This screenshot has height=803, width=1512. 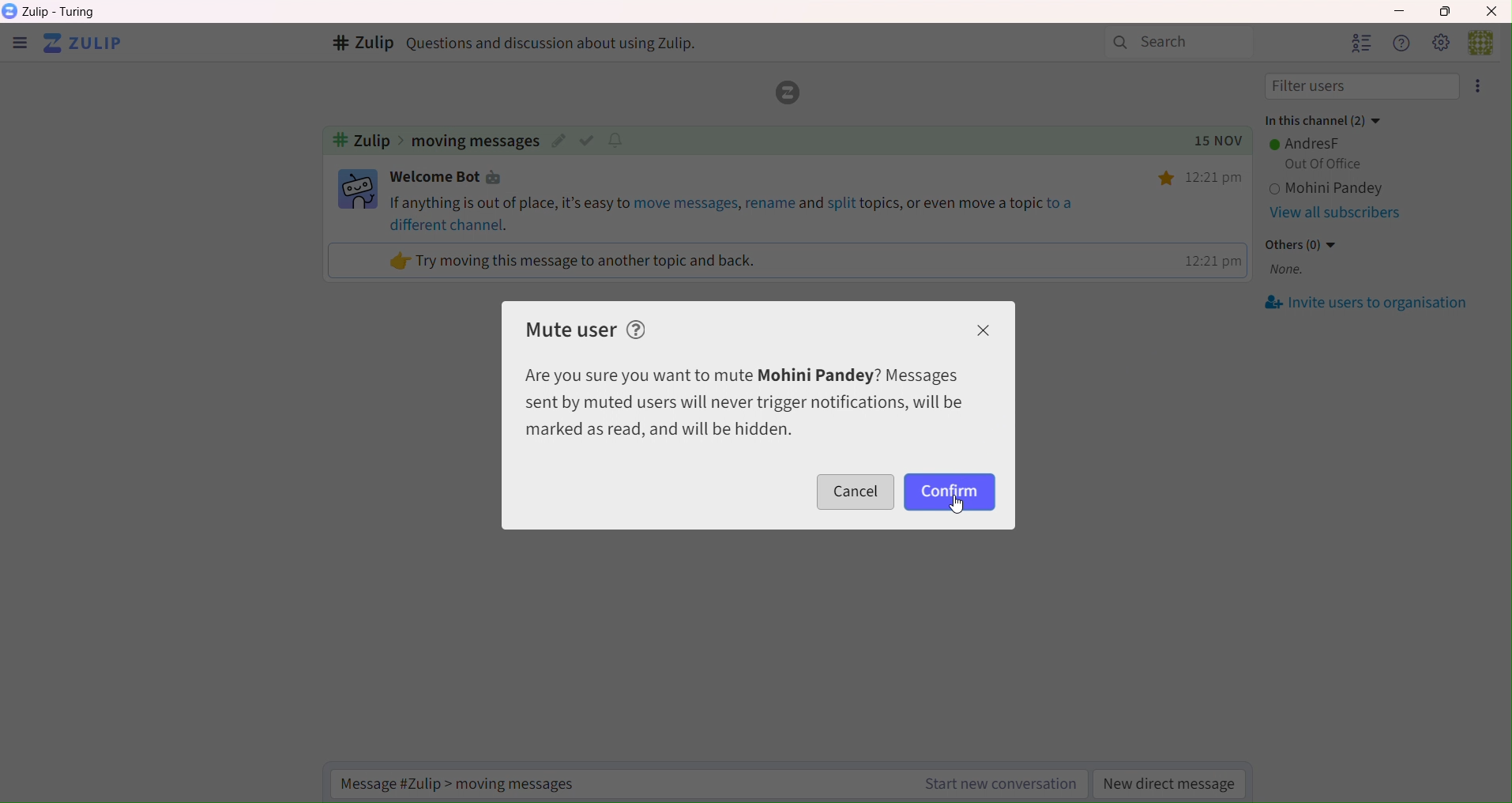 I want to click on Others (0), so click(x=1303, y=244).